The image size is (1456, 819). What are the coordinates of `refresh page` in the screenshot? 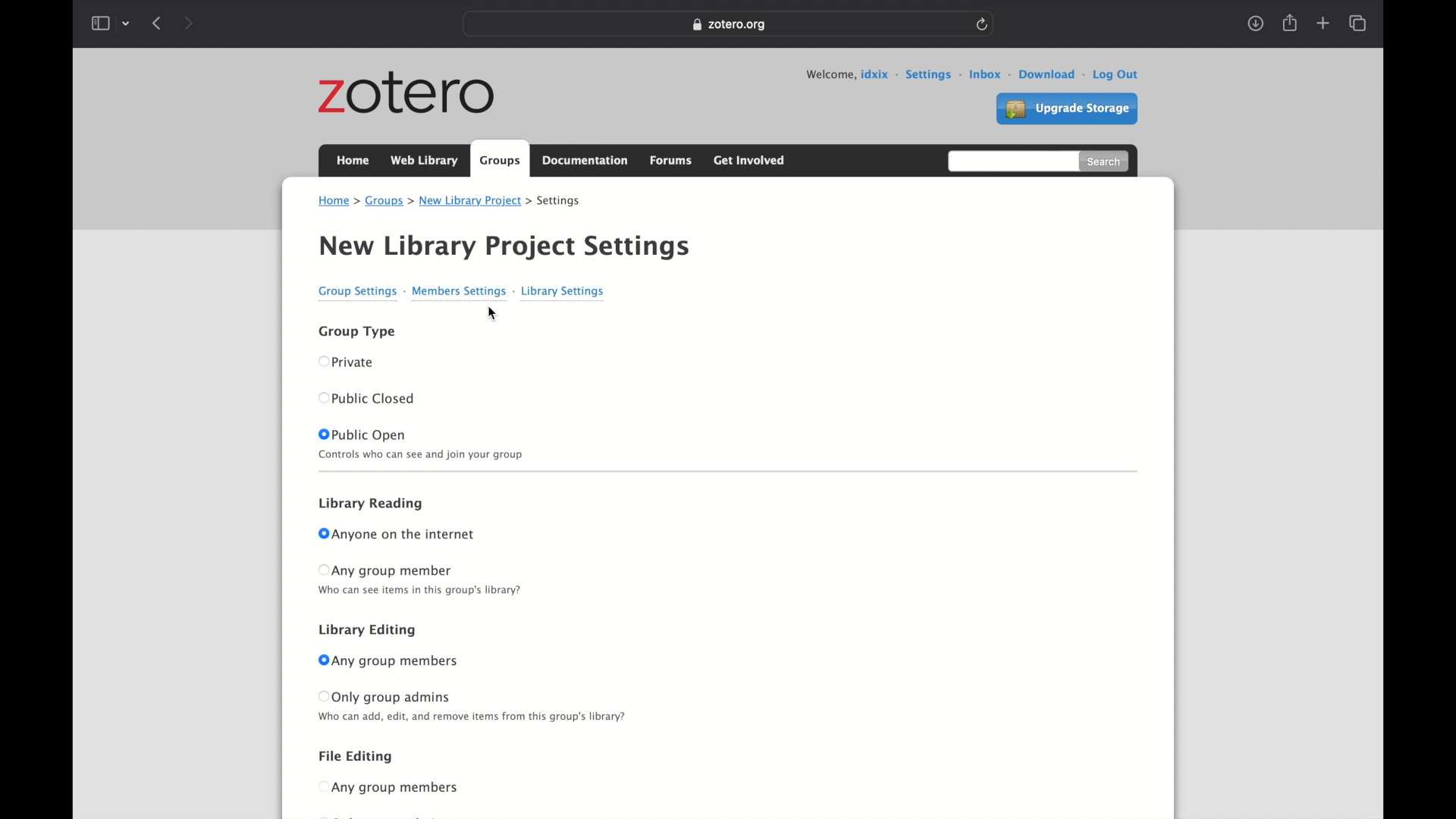 It's located at (982, 23).